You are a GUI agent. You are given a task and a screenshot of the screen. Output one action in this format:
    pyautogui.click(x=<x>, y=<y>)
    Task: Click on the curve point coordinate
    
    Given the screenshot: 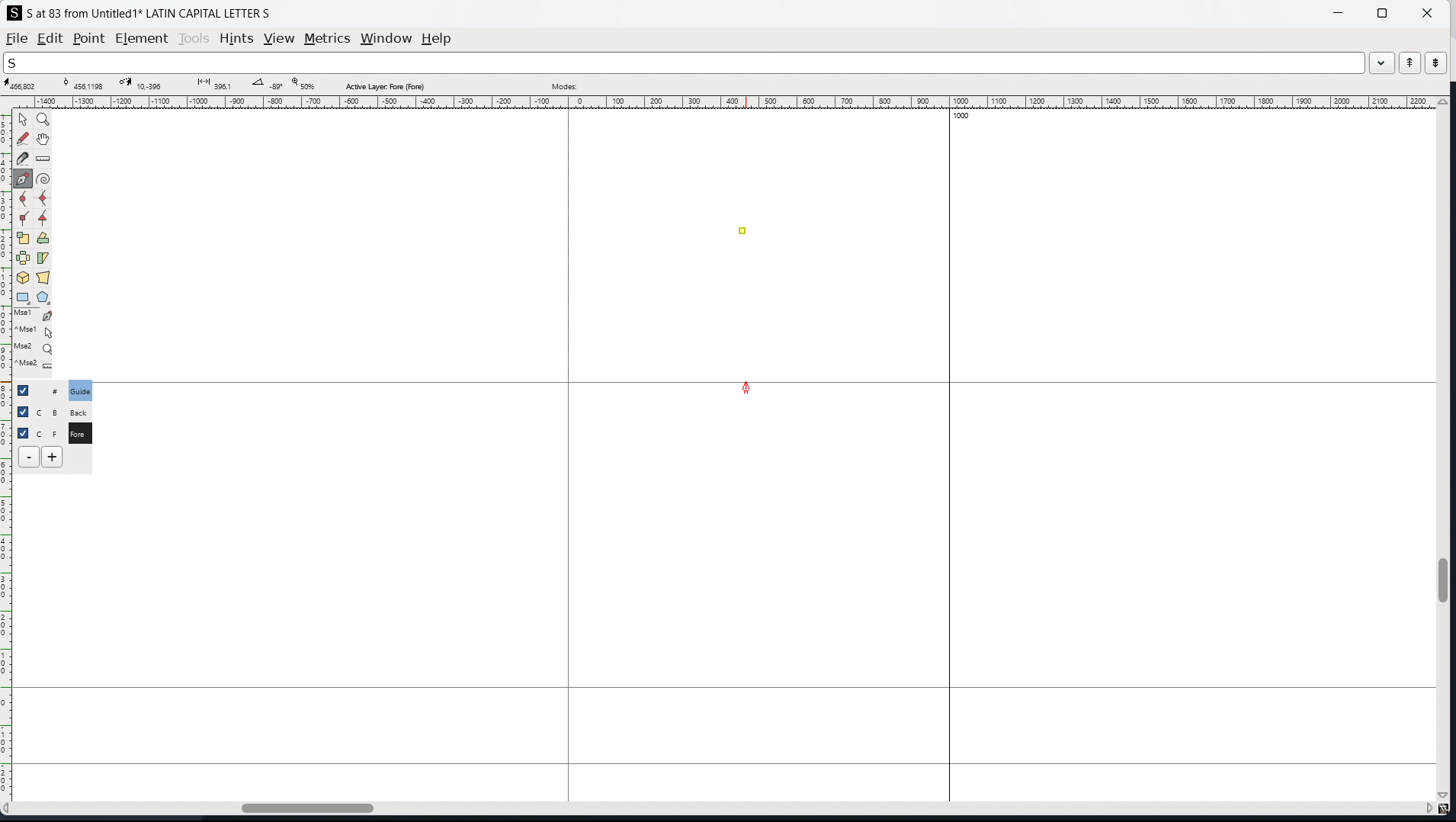 What is the action you would take?
    pyautogui.click(x=86, y=84)
    